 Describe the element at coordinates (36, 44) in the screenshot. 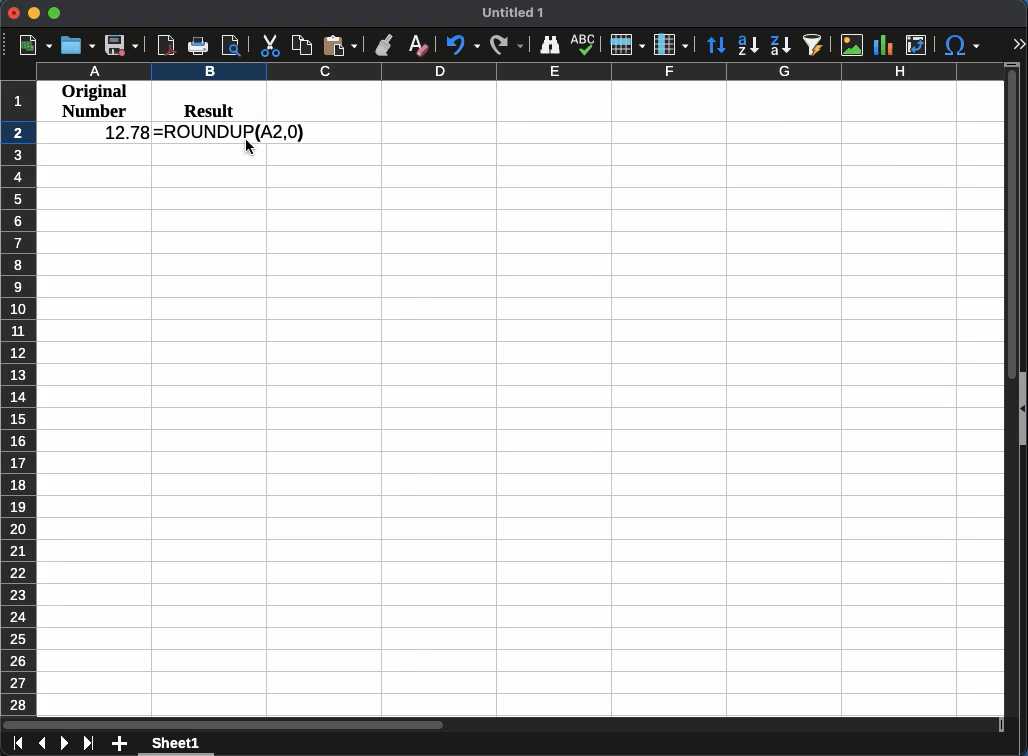

I see `new` at that location.